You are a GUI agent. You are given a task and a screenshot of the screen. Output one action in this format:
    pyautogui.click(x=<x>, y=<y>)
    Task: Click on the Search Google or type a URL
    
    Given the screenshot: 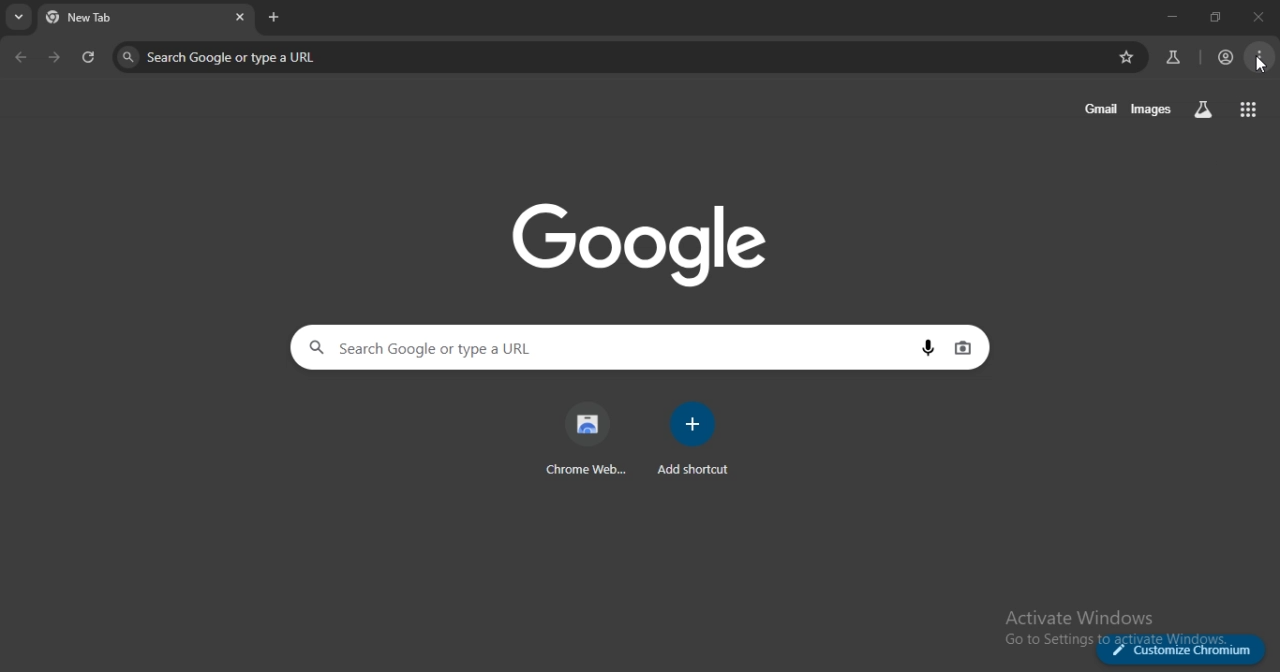 What is the action you would take?
    pyautogui.click(x=611, y=57)
    